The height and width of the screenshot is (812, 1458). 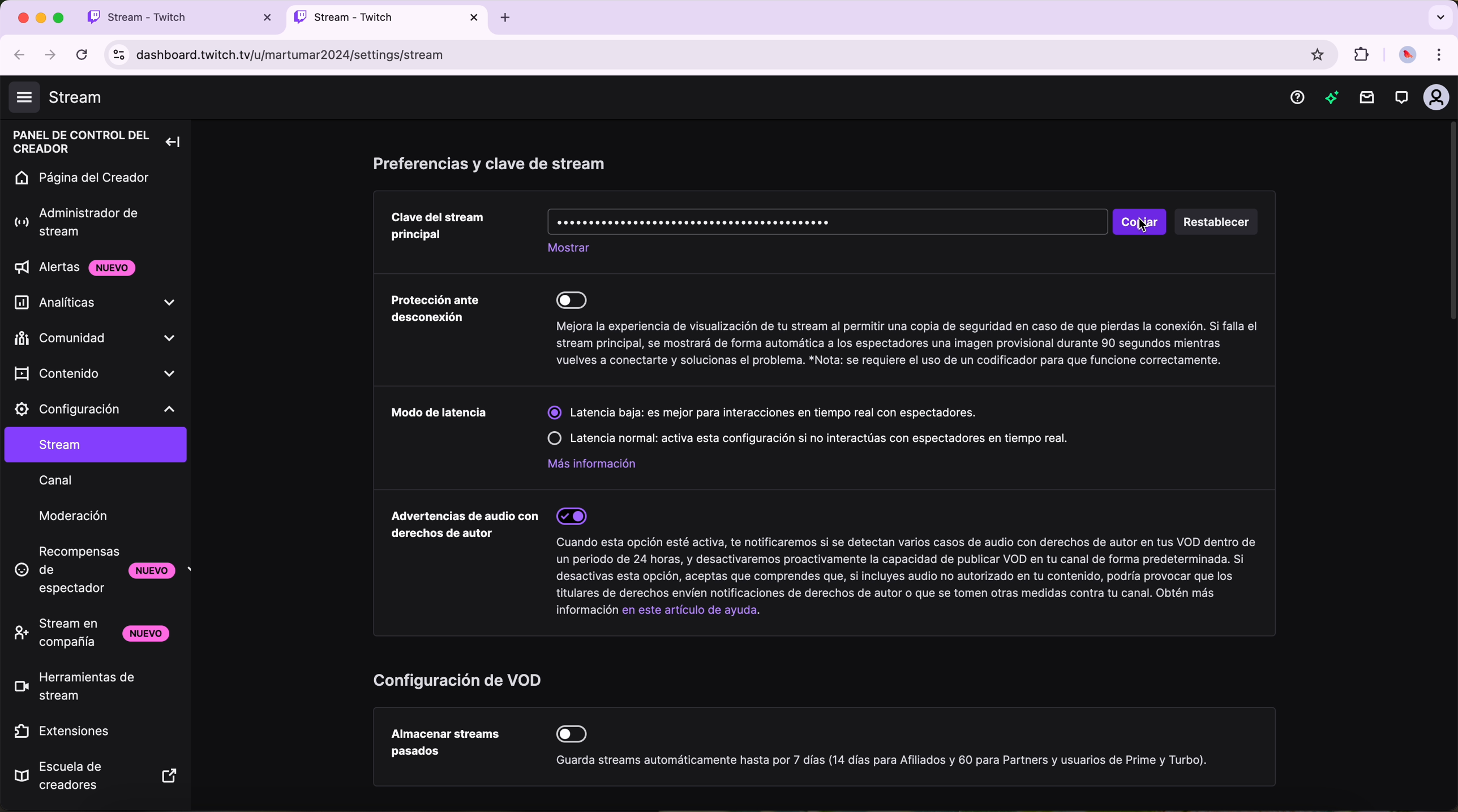 I want to click on latency mode, so click(x=439, y=411).